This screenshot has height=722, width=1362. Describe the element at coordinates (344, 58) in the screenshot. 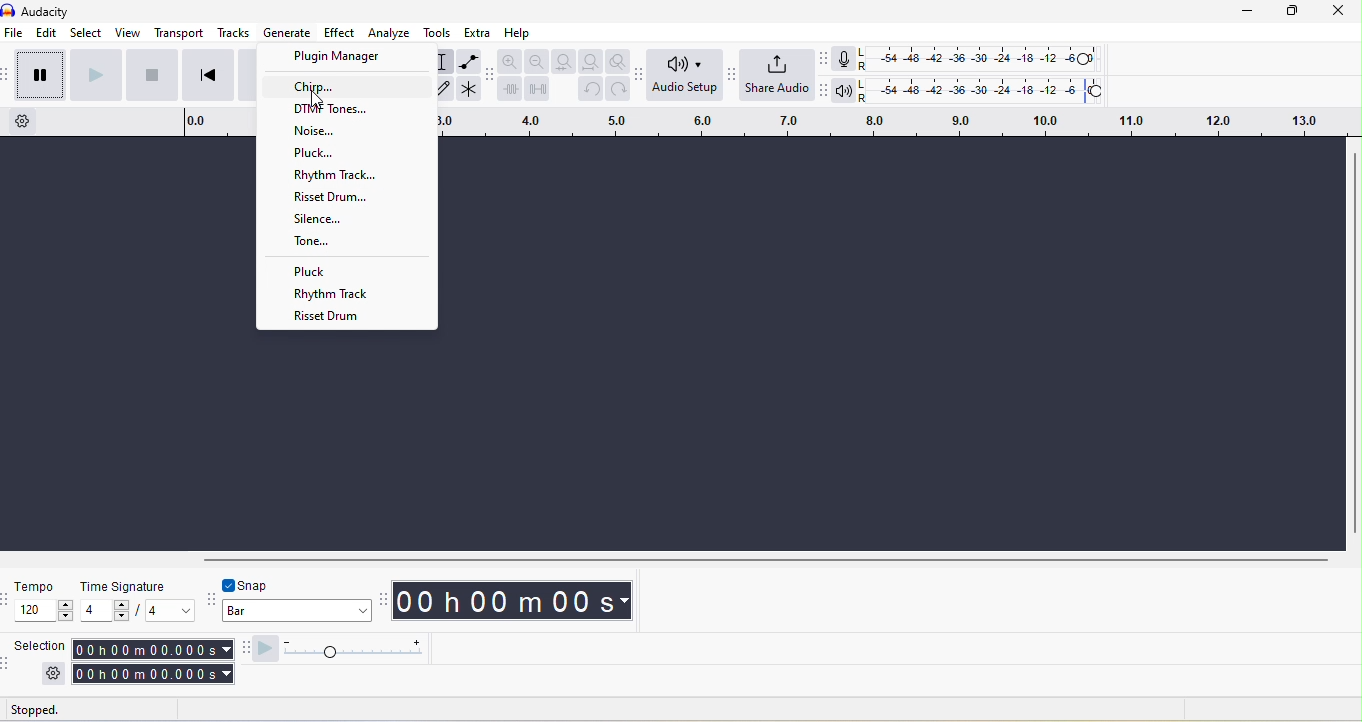

I see `plugin manager` at that location.